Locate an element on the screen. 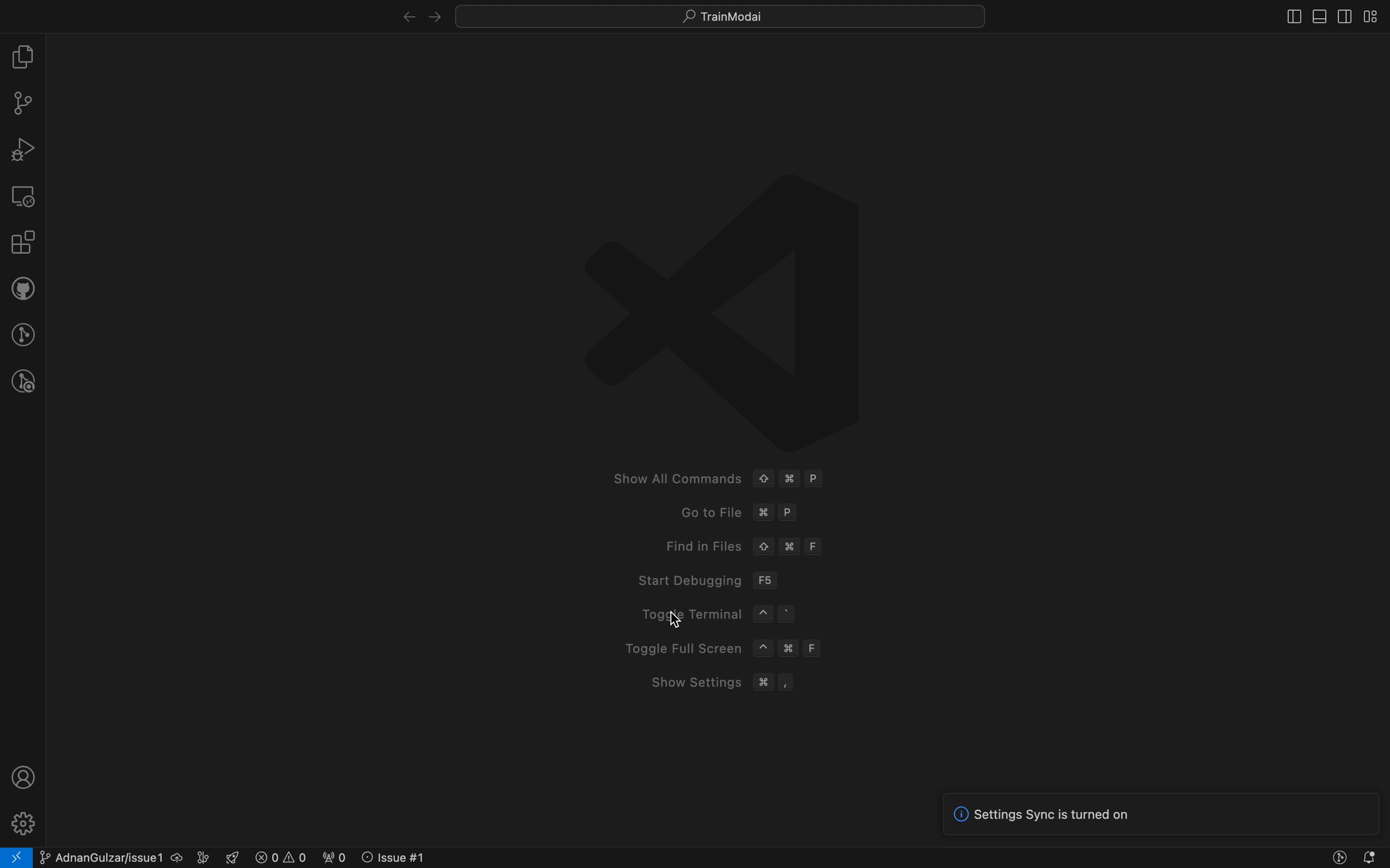 The width and height of the screenshot is (1390, 868). setting sync message is located at coordinates (1169, 815).